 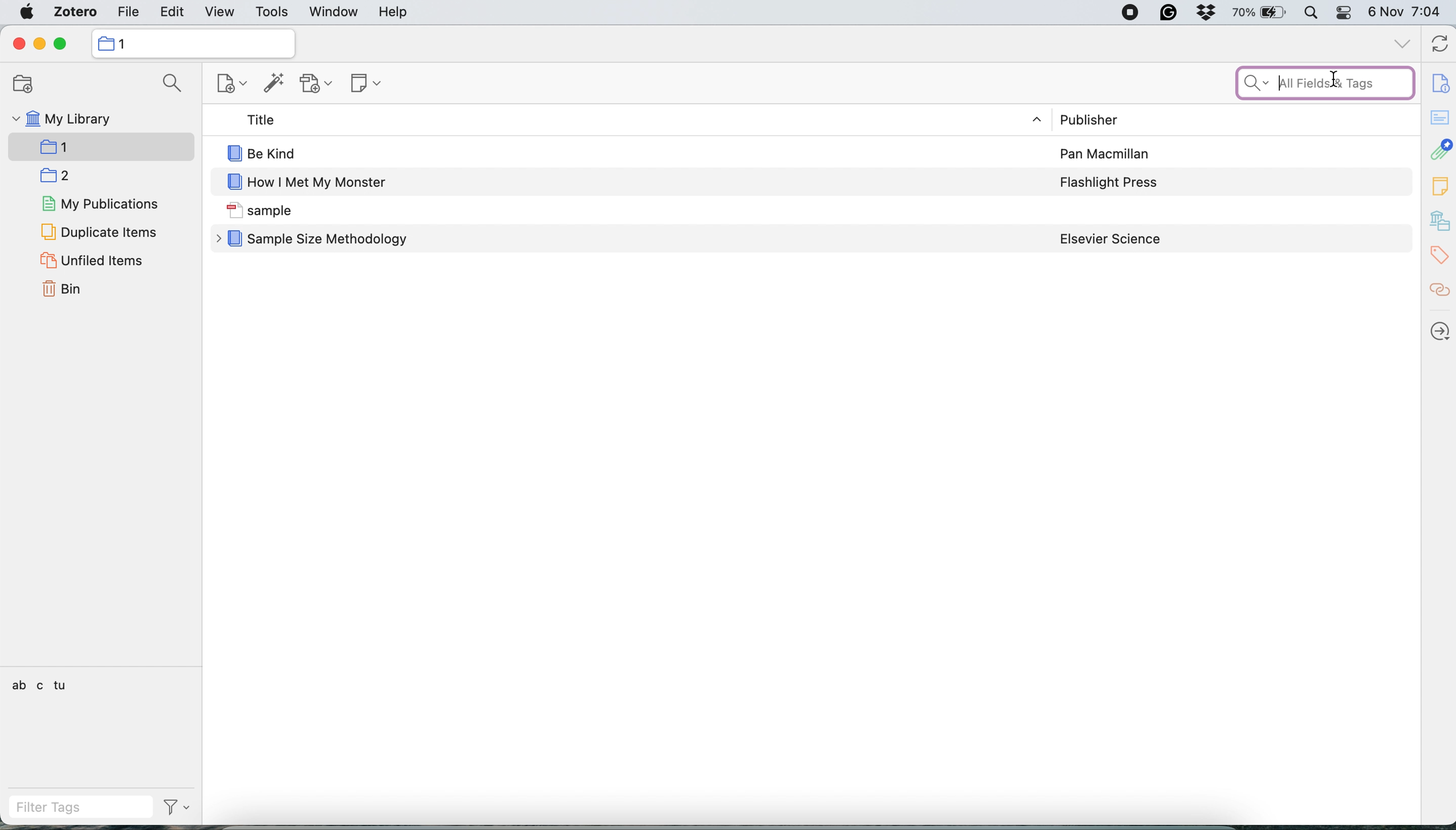 I want to click on icon, so click(x=234, y=239).